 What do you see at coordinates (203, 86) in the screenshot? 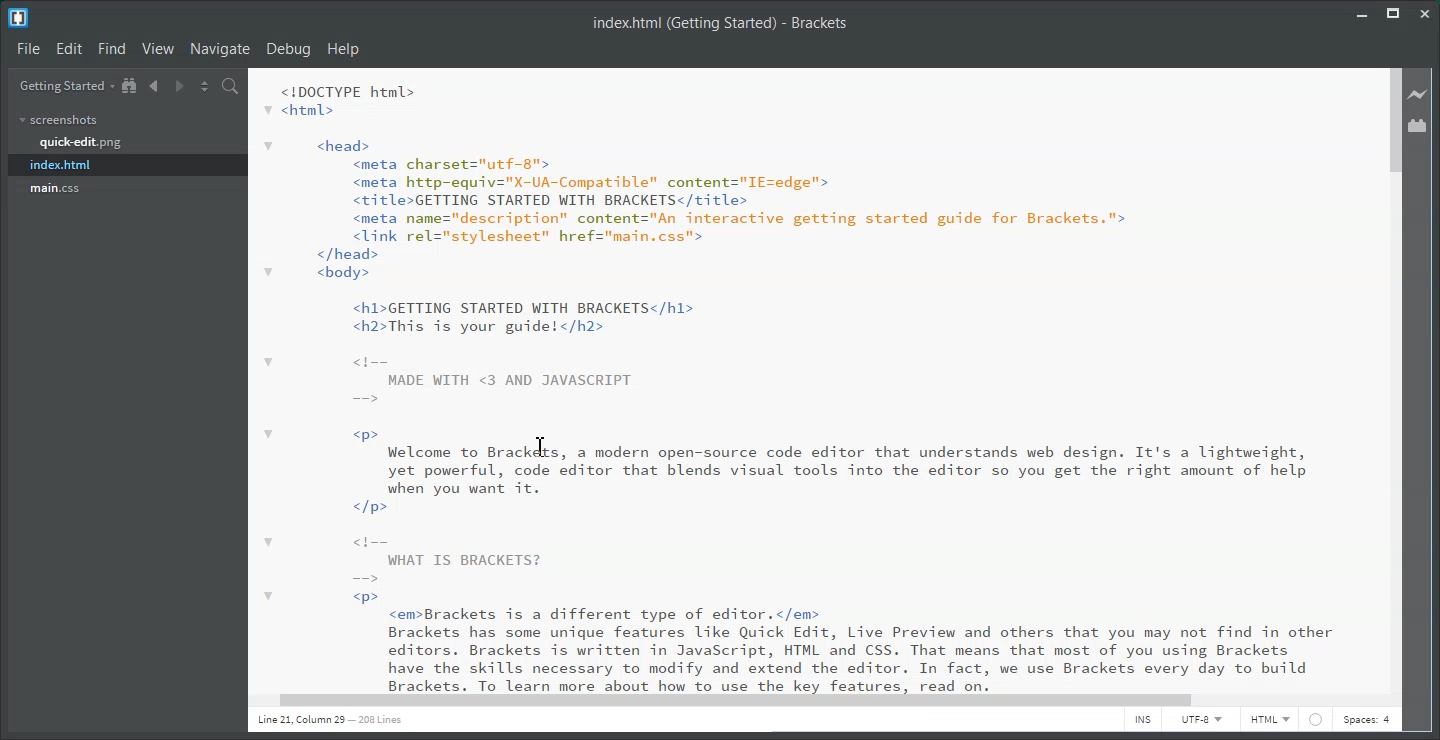
I see `Split editor vertically or Horizontally` at bounding box center [203, 86].